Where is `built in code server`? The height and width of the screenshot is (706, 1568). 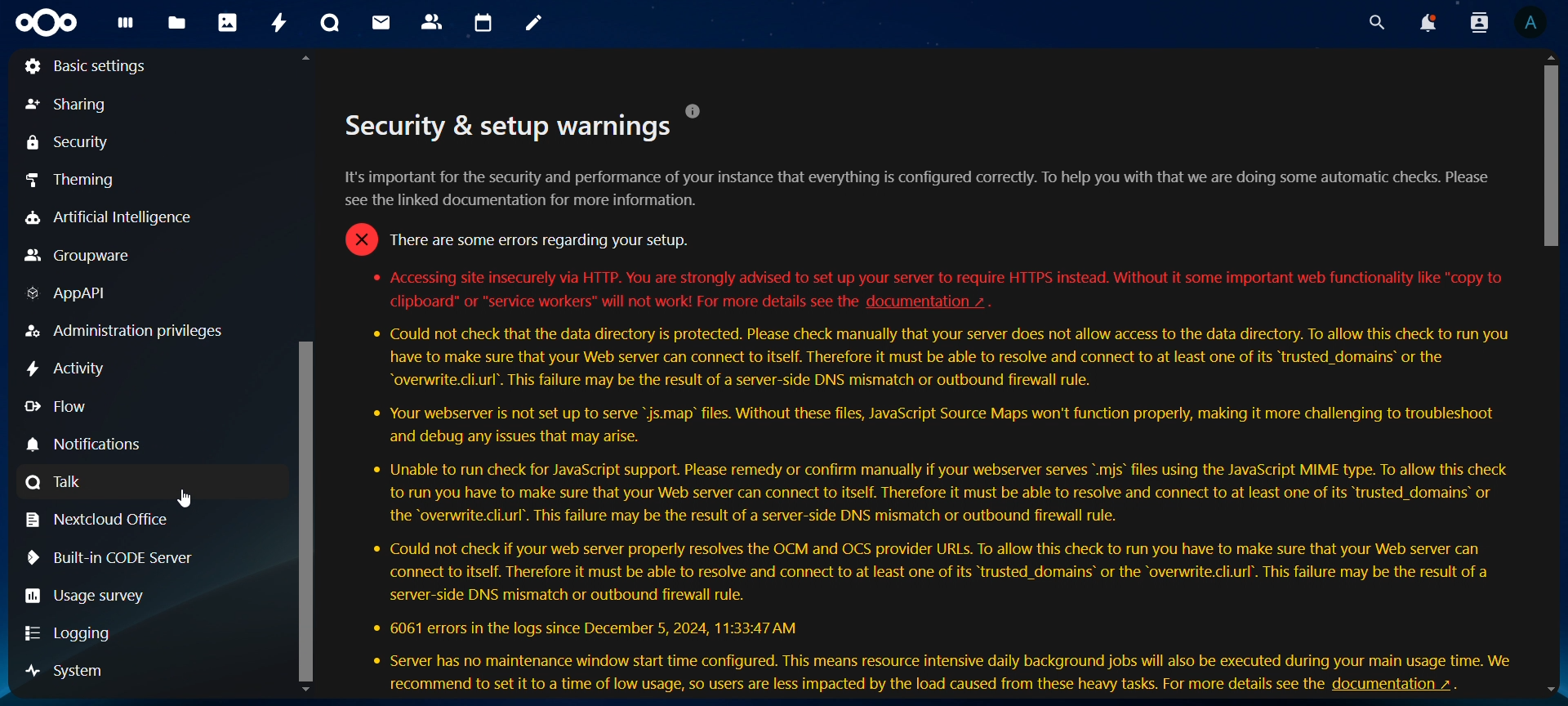
built in code server is located at coordinates (116, 556).